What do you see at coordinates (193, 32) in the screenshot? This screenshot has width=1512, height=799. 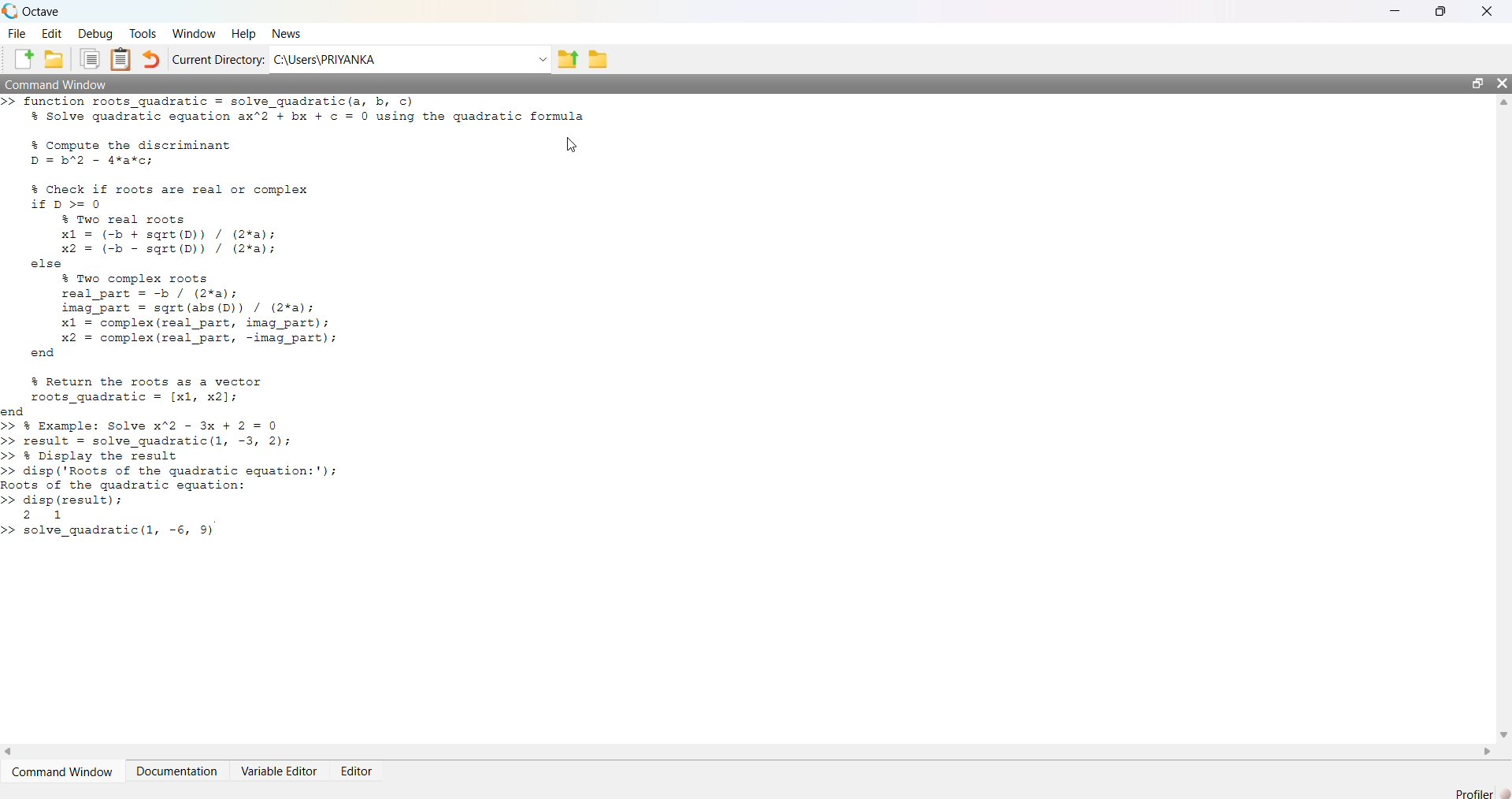 I see `Window` at bounding box center [193, 32].